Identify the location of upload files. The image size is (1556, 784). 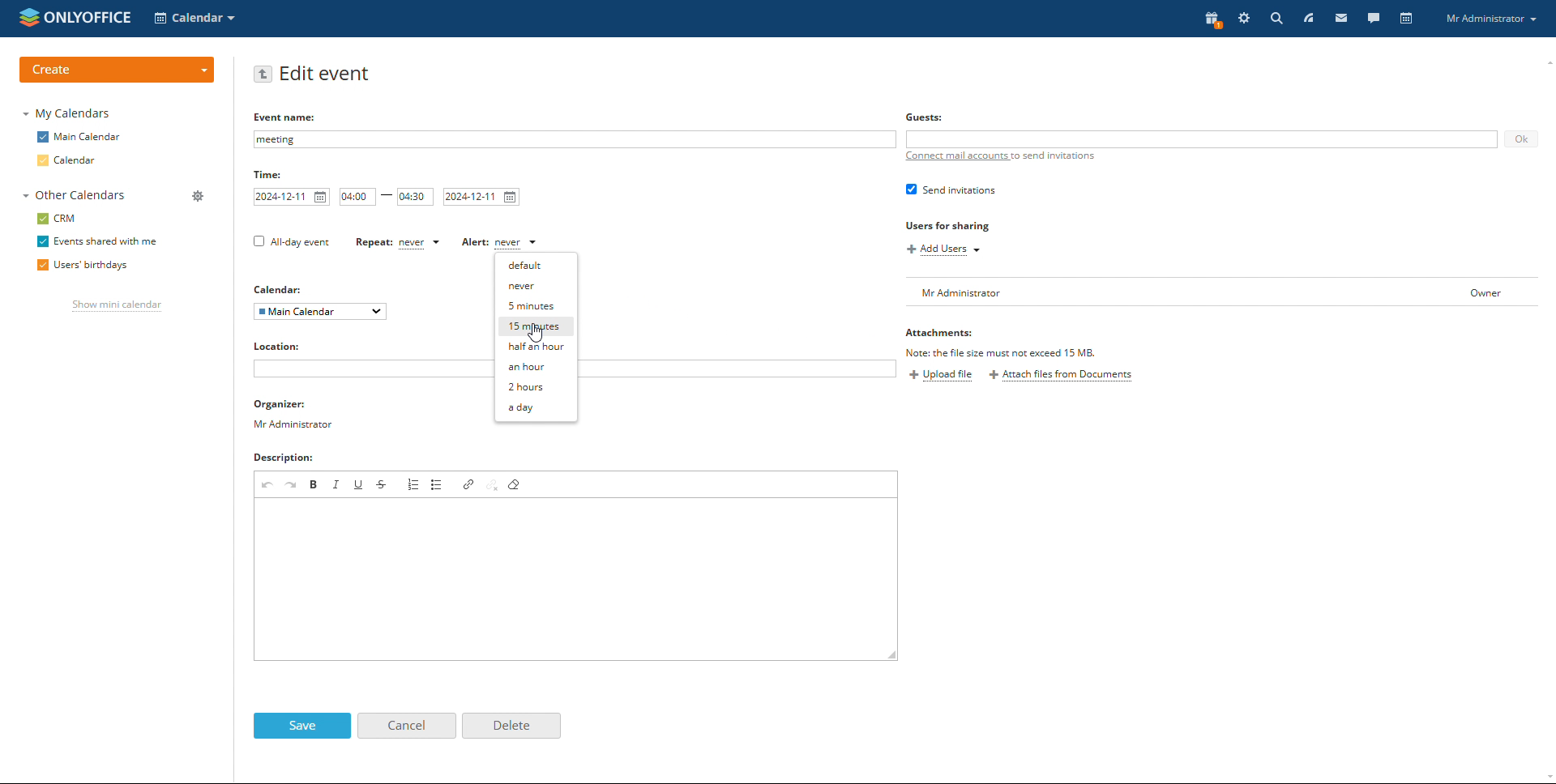
(941, 376).